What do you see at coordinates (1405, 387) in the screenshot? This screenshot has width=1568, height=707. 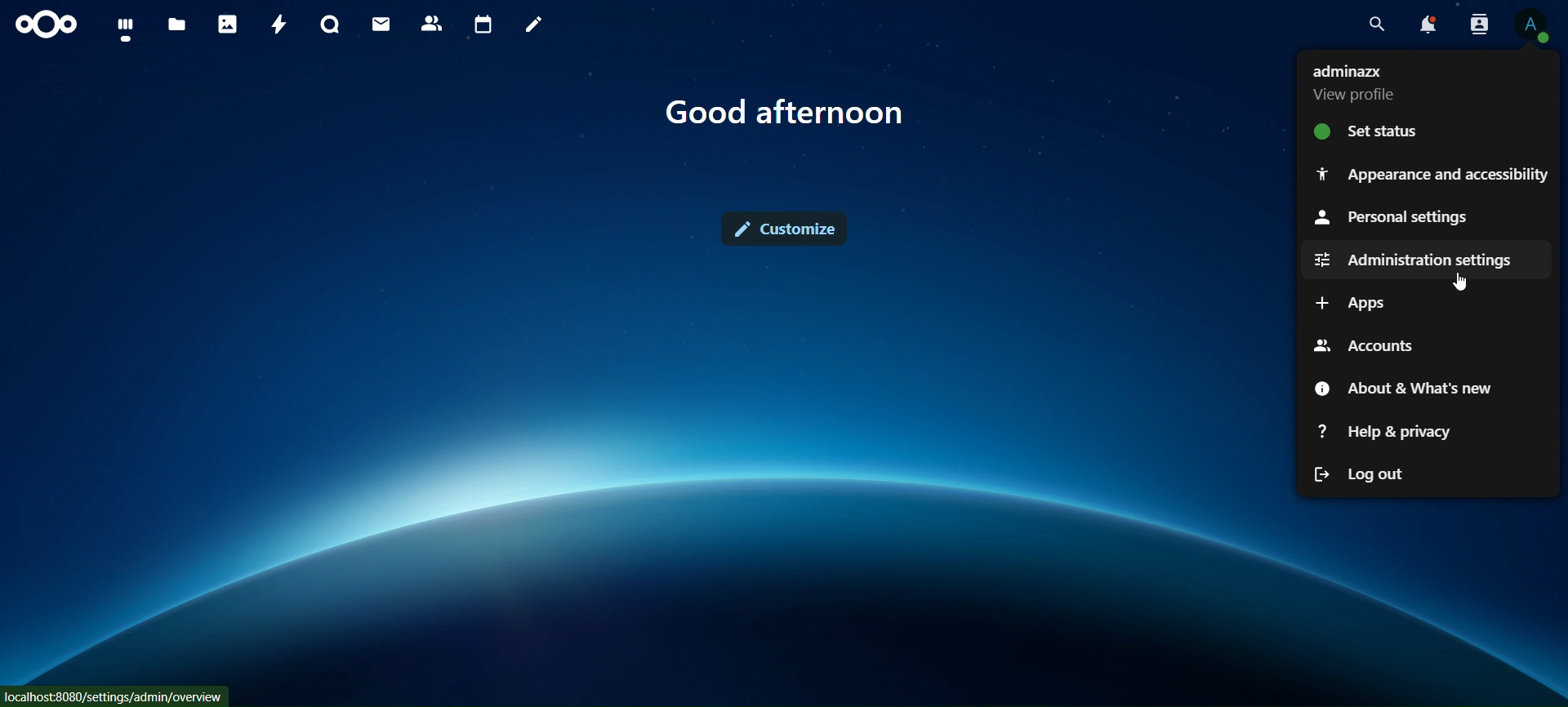 I see `about & whats new` at bounding box center [1405, 387].